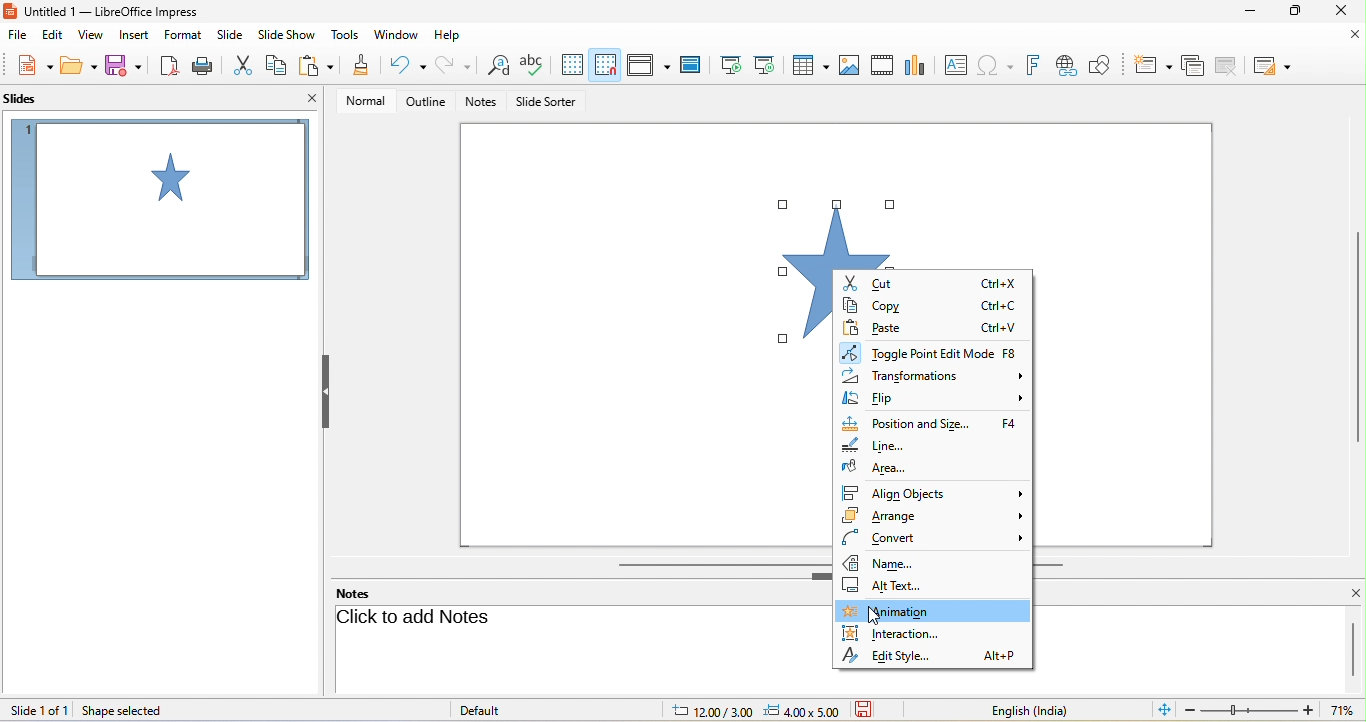 This screenshot has width=1366, height=722. What do you see at coordinates (183, 35) in the screenshot?
I see `format` at bounding box center [183, 35].